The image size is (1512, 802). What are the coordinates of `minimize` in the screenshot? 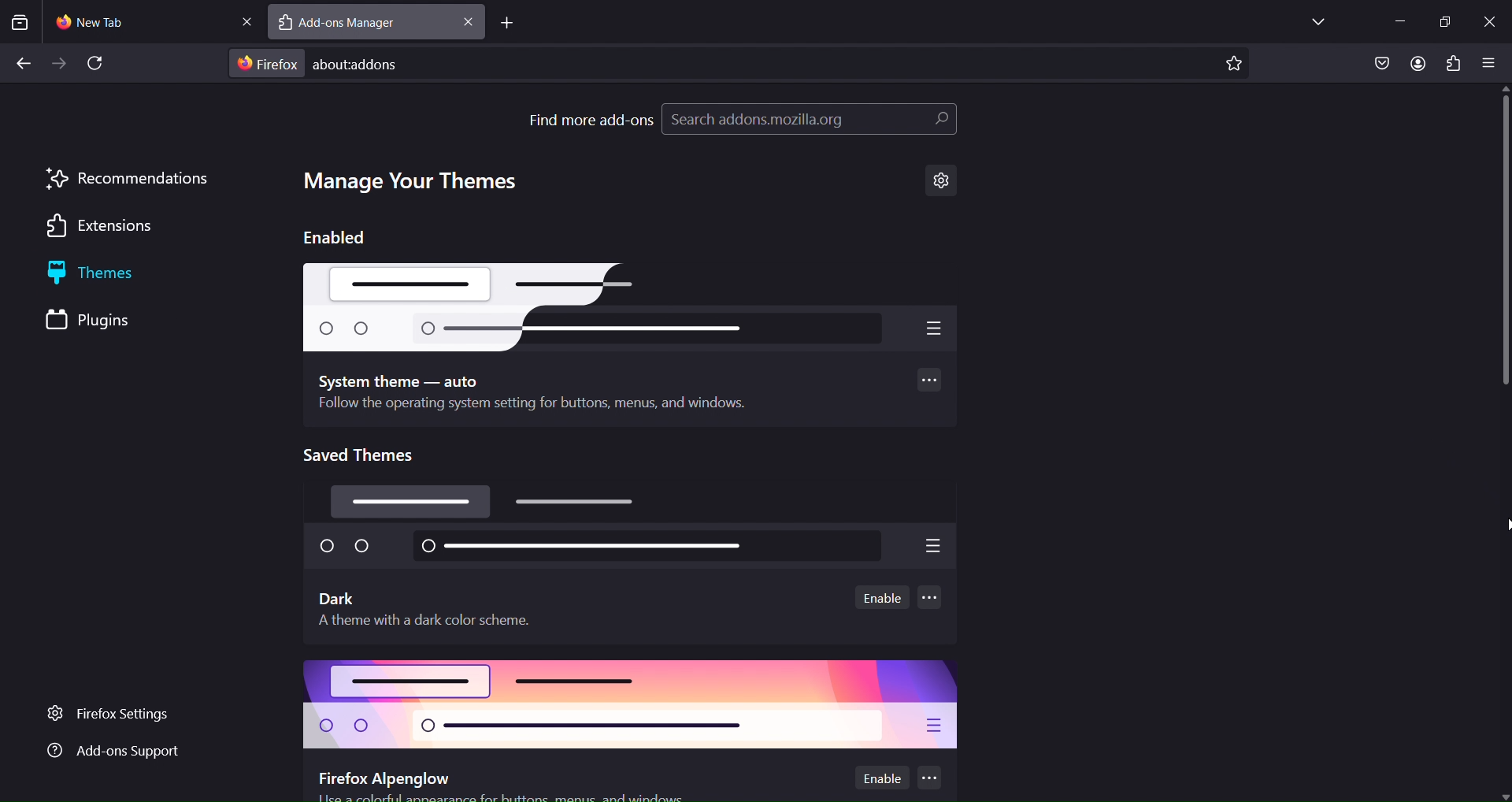 It's located at (1395, 22).